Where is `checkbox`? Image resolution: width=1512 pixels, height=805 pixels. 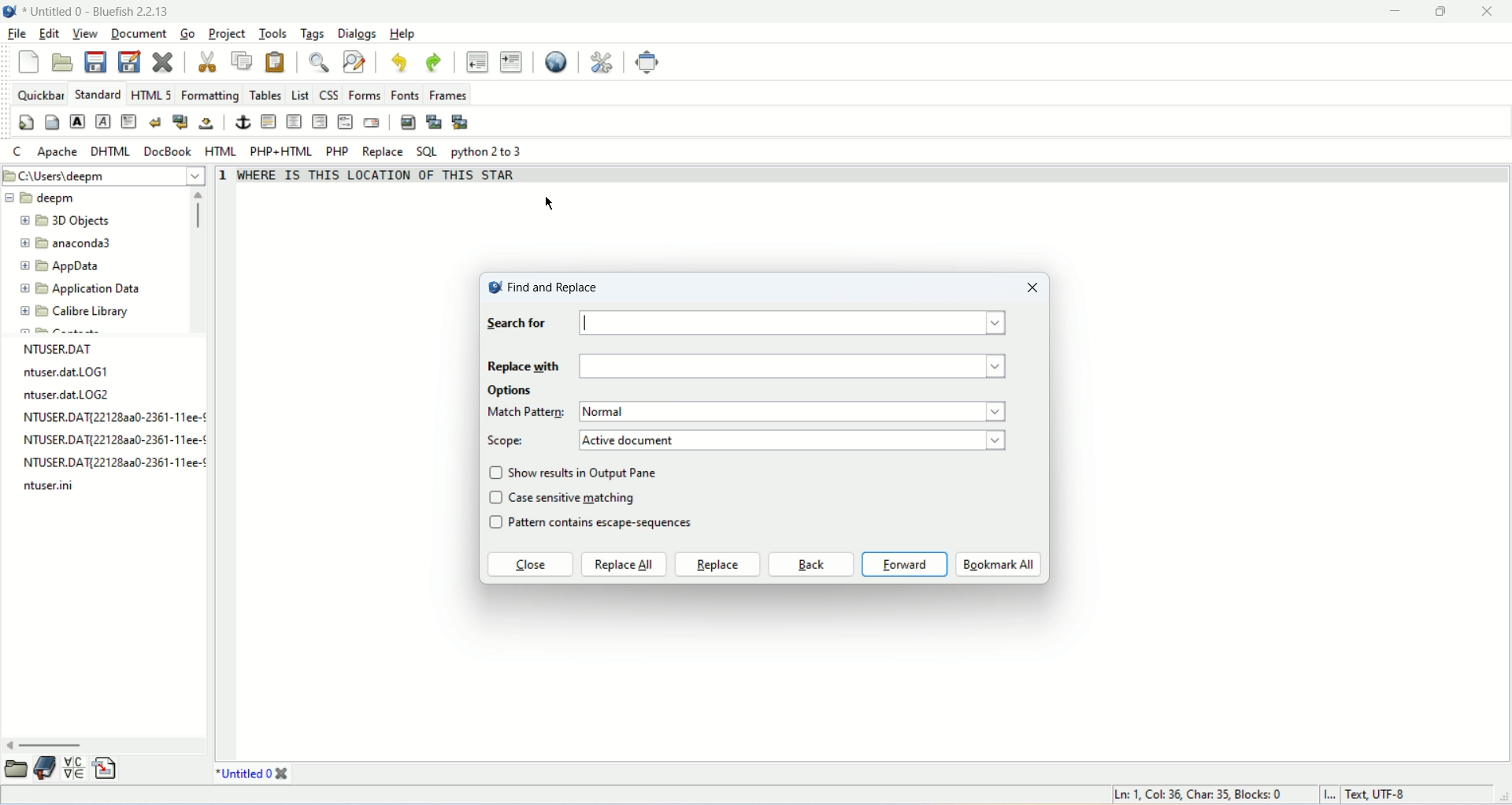
checkbox is located at coordinates (495, 499).